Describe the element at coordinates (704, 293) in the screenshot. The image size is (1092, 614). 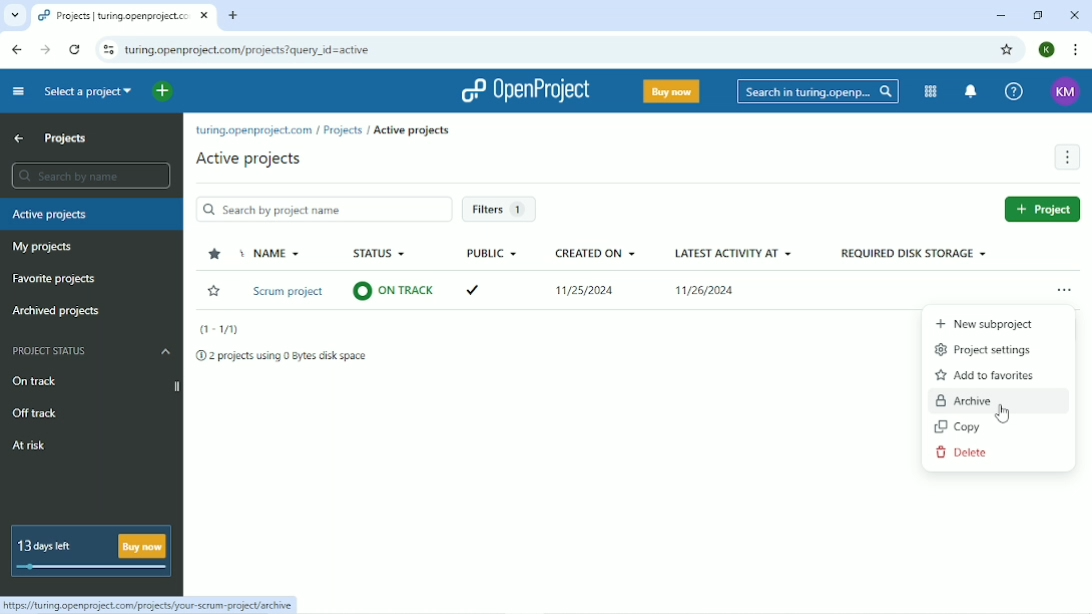
I see `11/26/2024` at that location.